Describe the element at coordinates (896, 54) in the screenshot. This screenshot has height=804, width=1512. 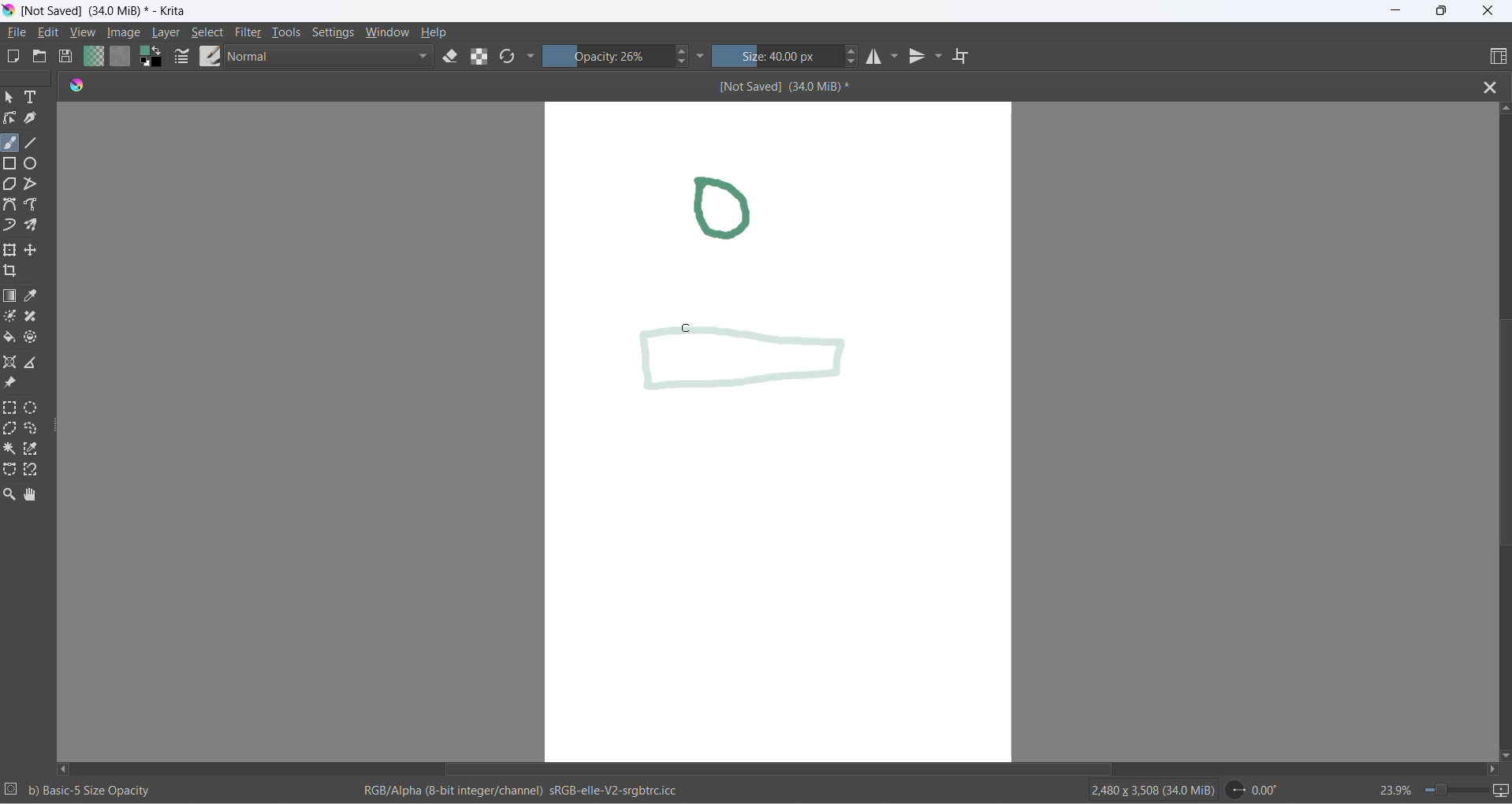
I see `horizontal mirror setting dropdown button` at that location.